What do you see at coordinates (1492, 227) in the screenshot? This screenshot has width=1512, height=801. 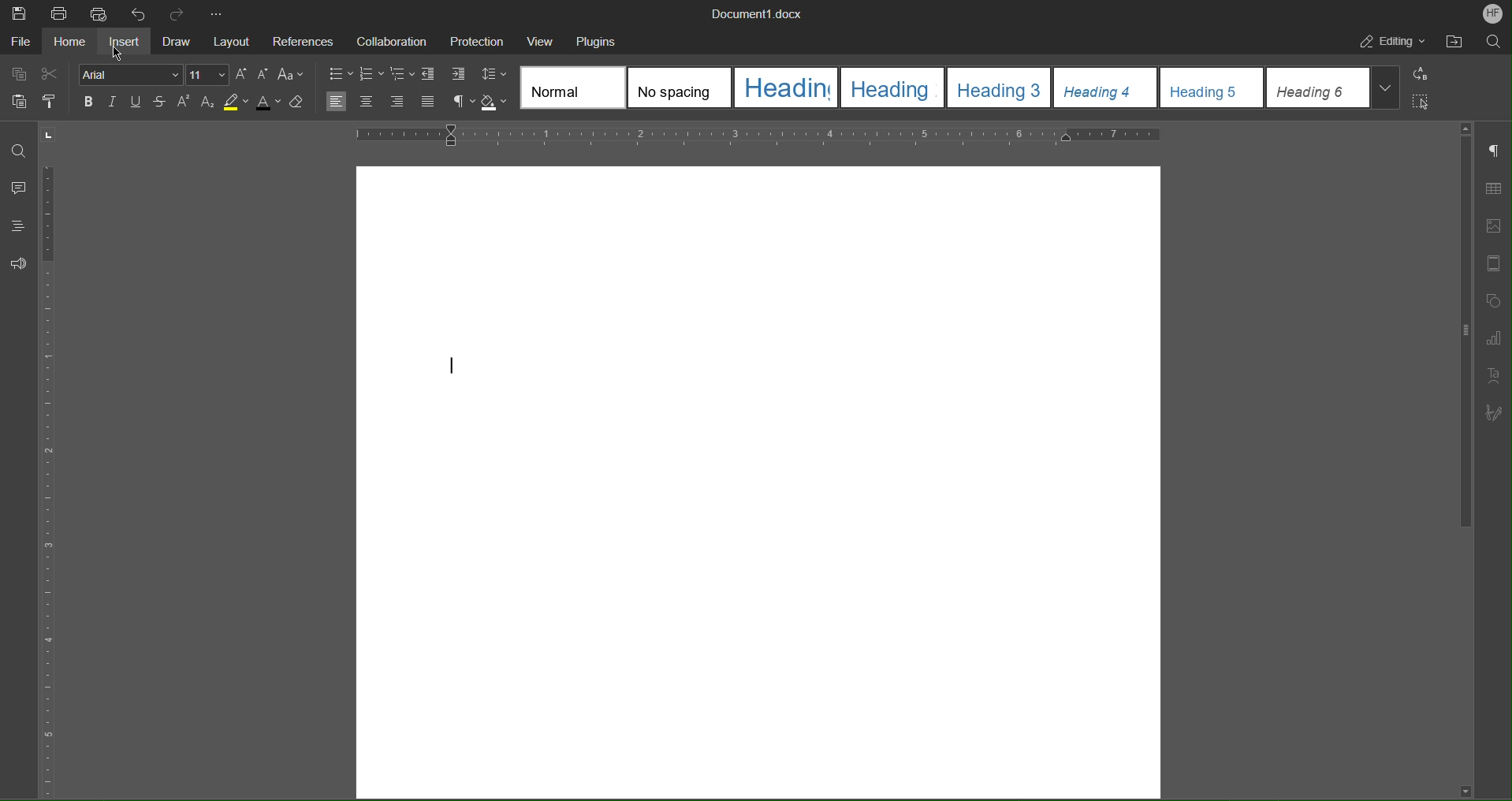 I see `Image Settings` at bounding box center [1492, 227].